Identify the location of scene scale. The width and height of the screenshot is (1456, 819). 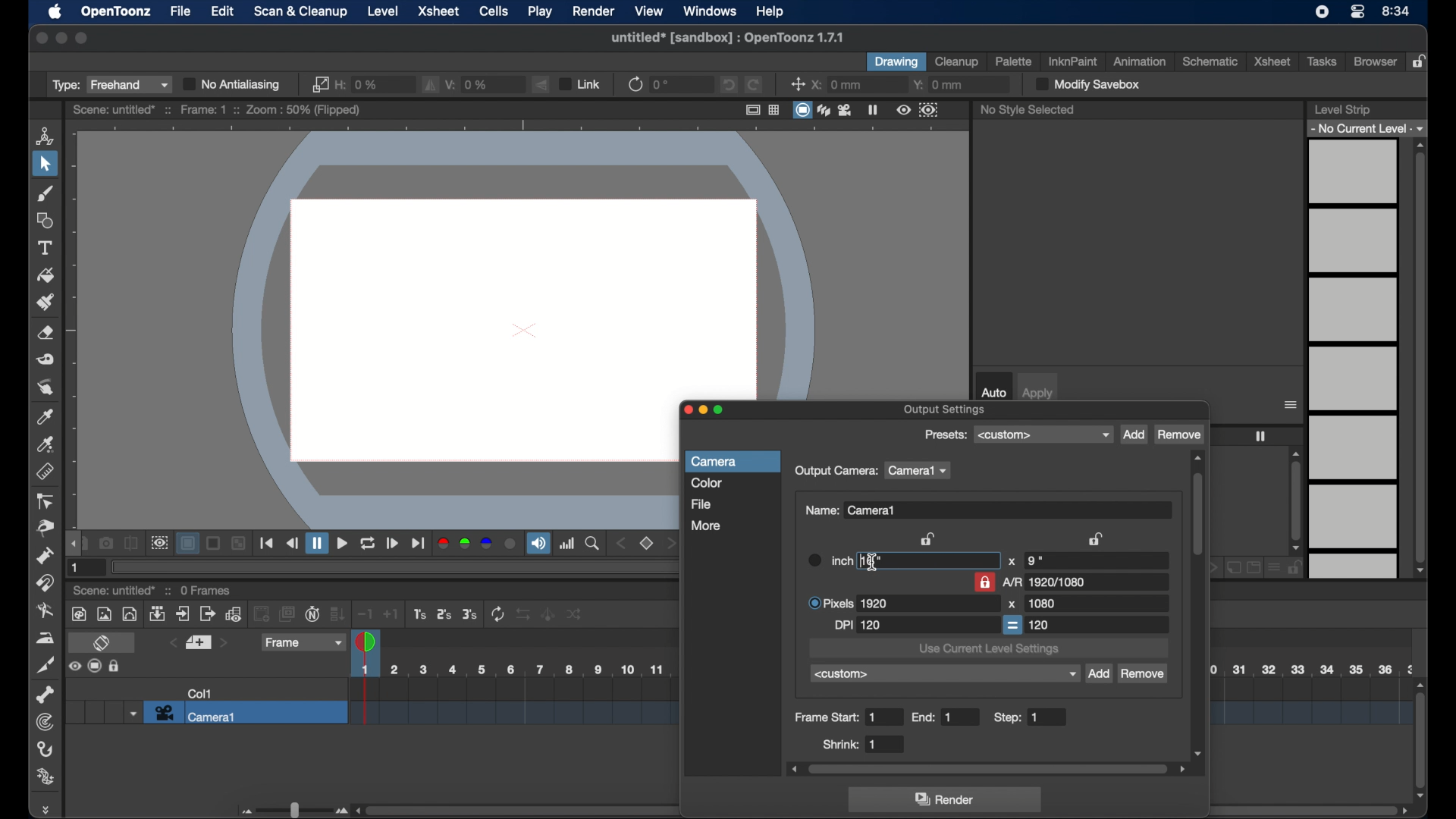
(1312, 668).